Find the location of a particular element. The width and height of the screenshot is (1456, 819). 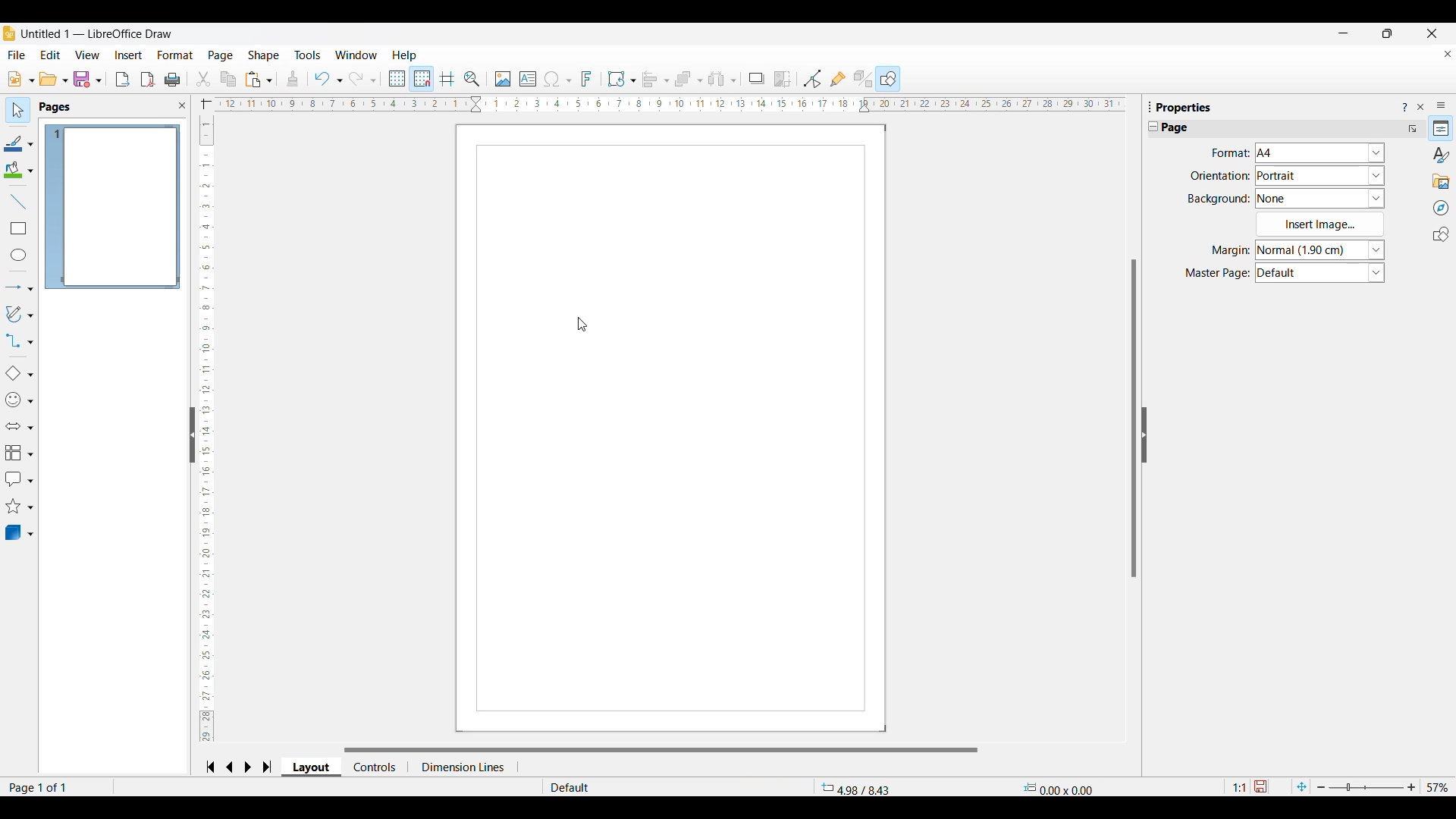

Display grid is located at coordinates (396, 79).